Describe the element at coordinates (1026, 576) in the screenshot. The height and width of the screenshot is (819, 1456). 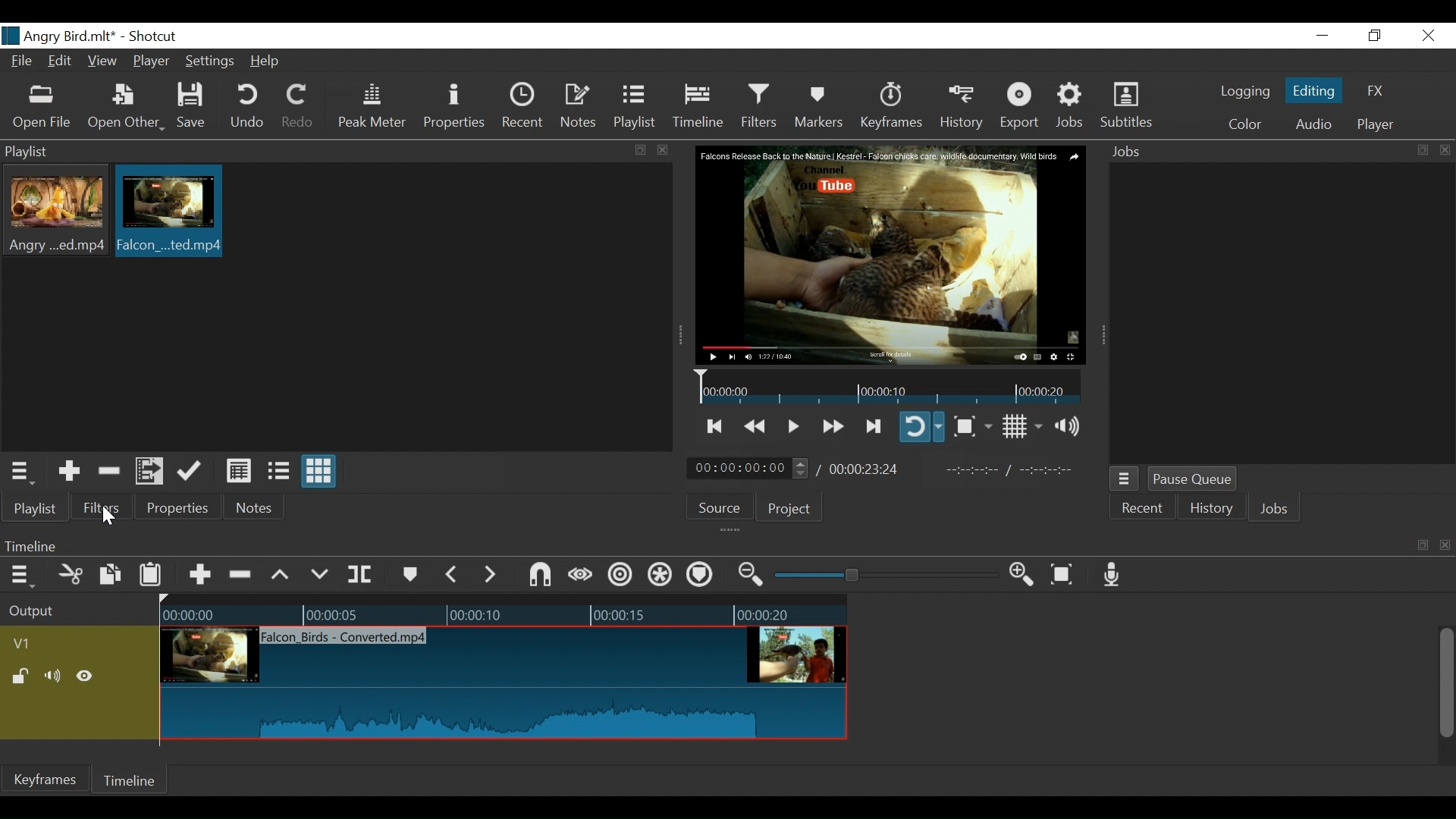
I see `Zoom timeline in` at that location.